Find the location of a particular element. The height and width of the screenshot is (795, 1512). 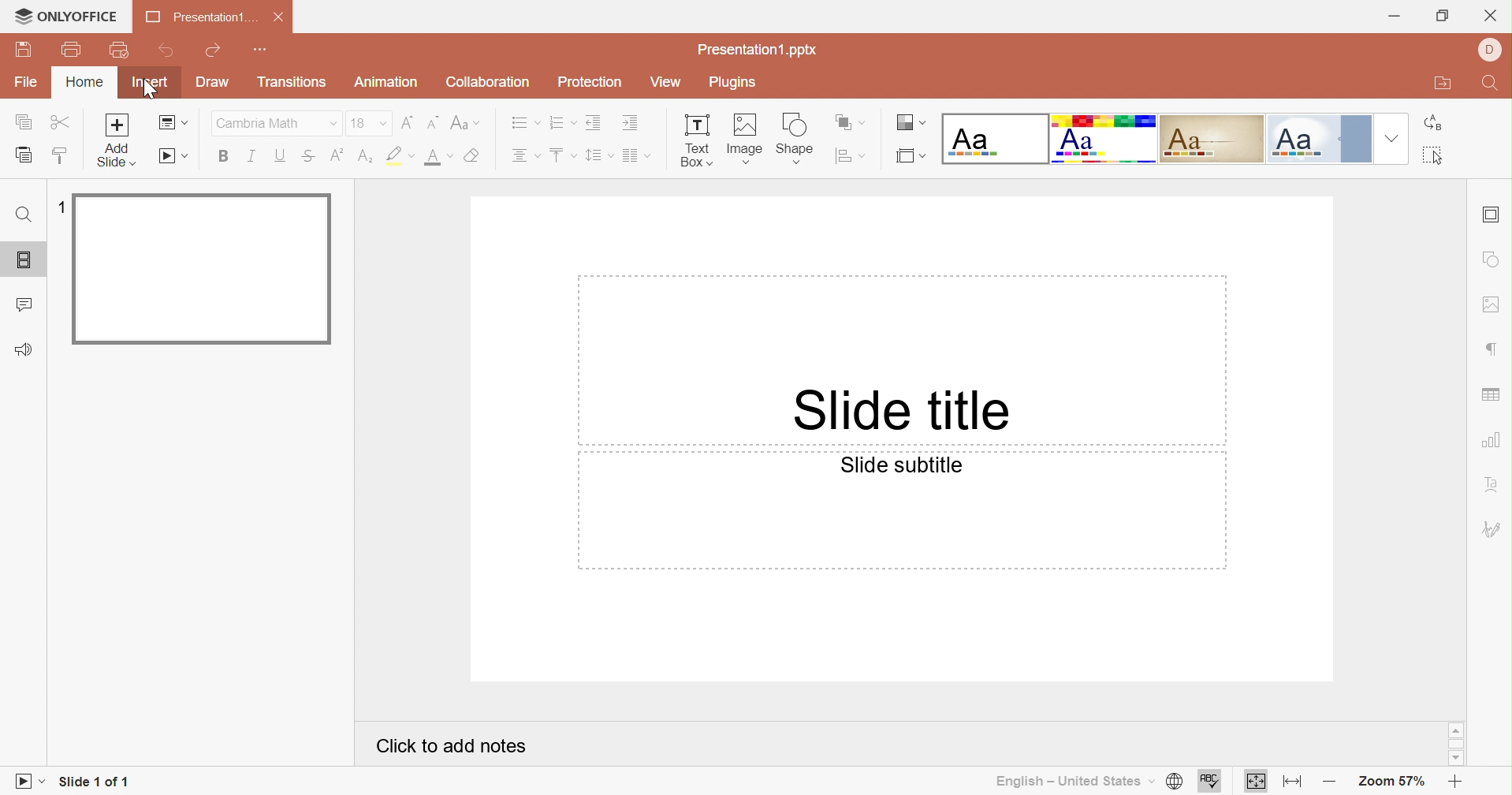

Add slide is located at coordinates (119, 125).